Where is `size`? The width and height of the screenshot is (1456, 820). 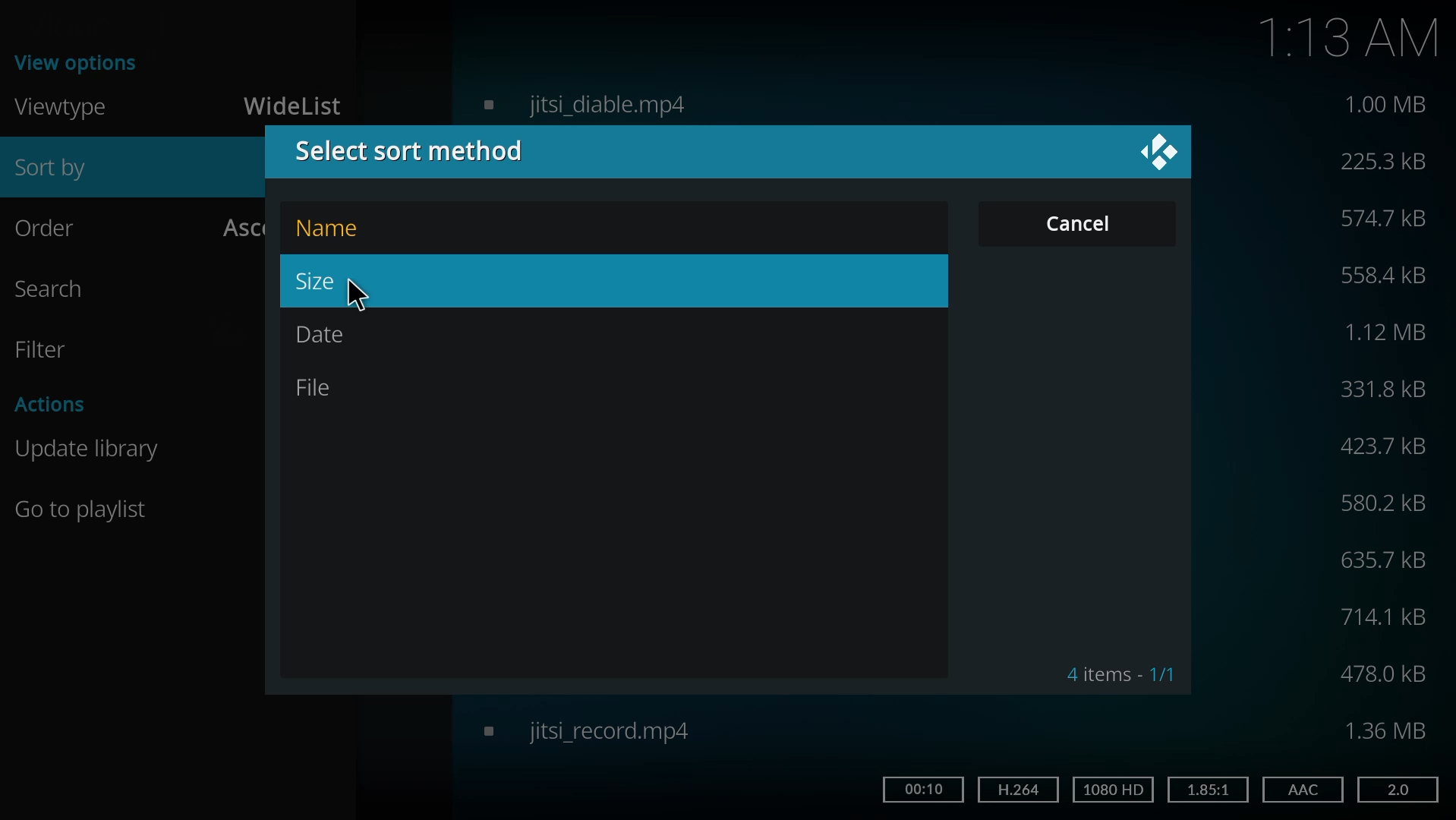 size is located at coordinates (1392, 330).